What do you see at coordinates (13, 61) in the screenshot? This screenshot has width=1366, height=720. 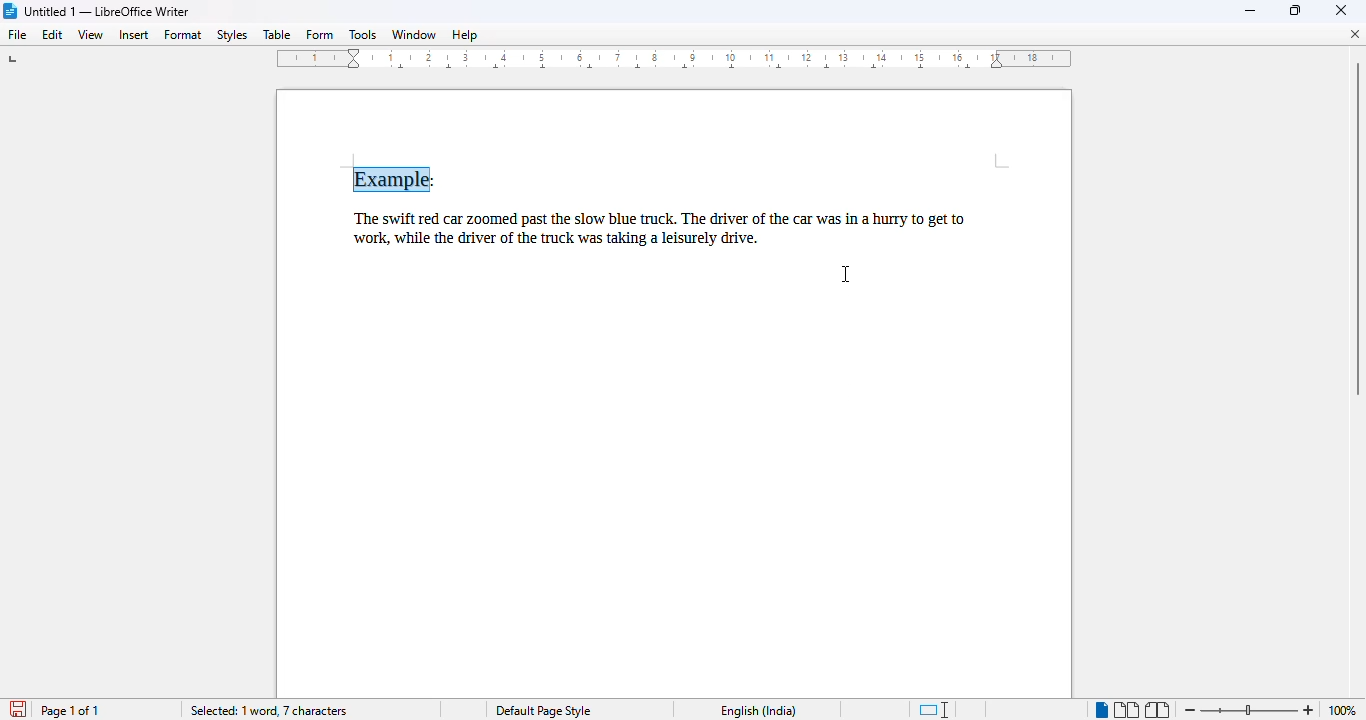 I see `tab stop` at bounding box center [13, 61].